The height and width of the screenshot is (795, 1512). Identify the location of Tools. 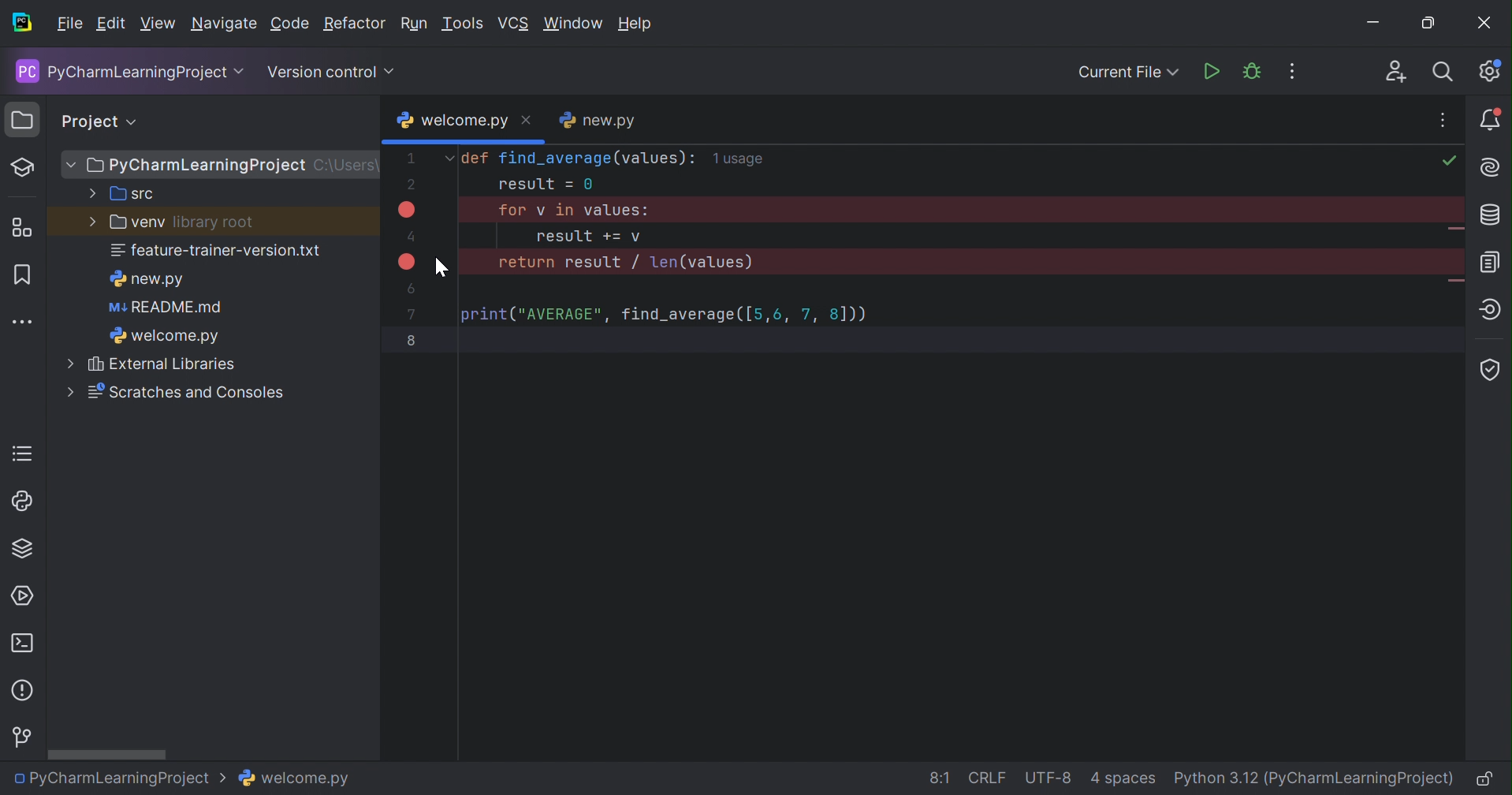
(464, 24).